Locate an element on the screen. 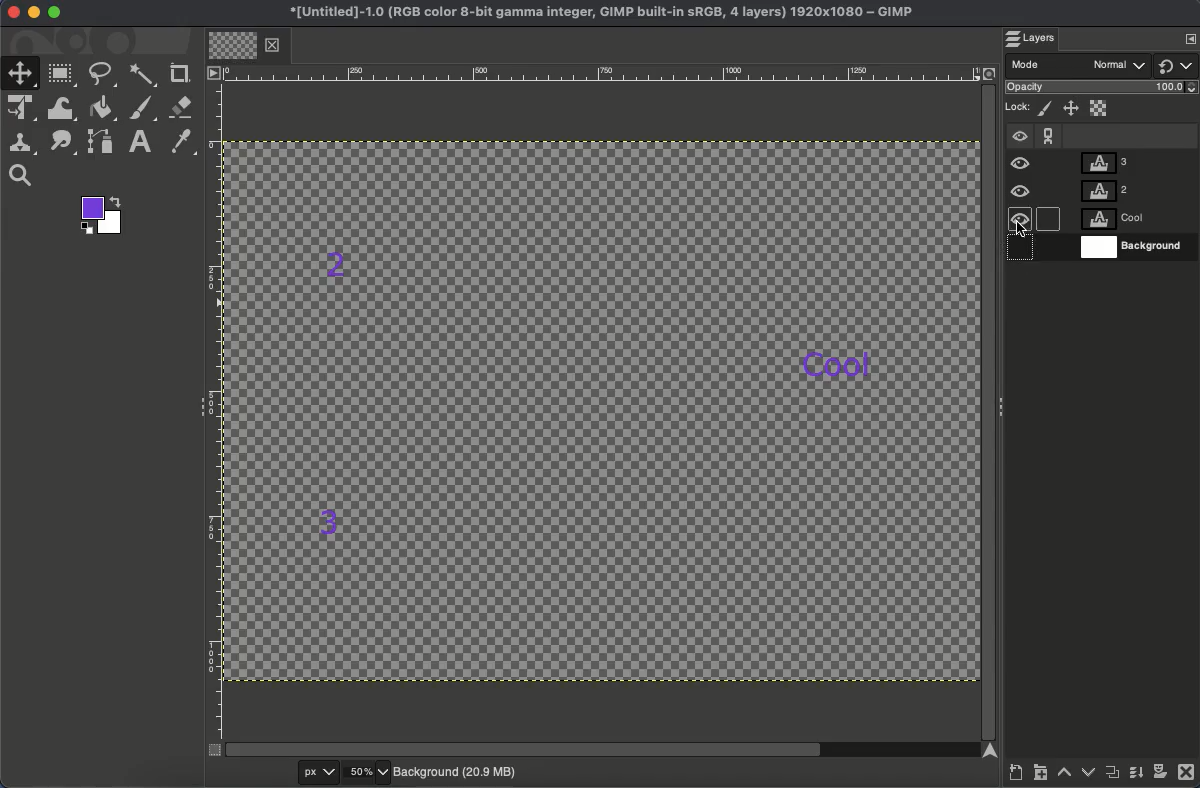 This screenshot has height=788, width=1200. Eraser is located at coordinates (182, 107).